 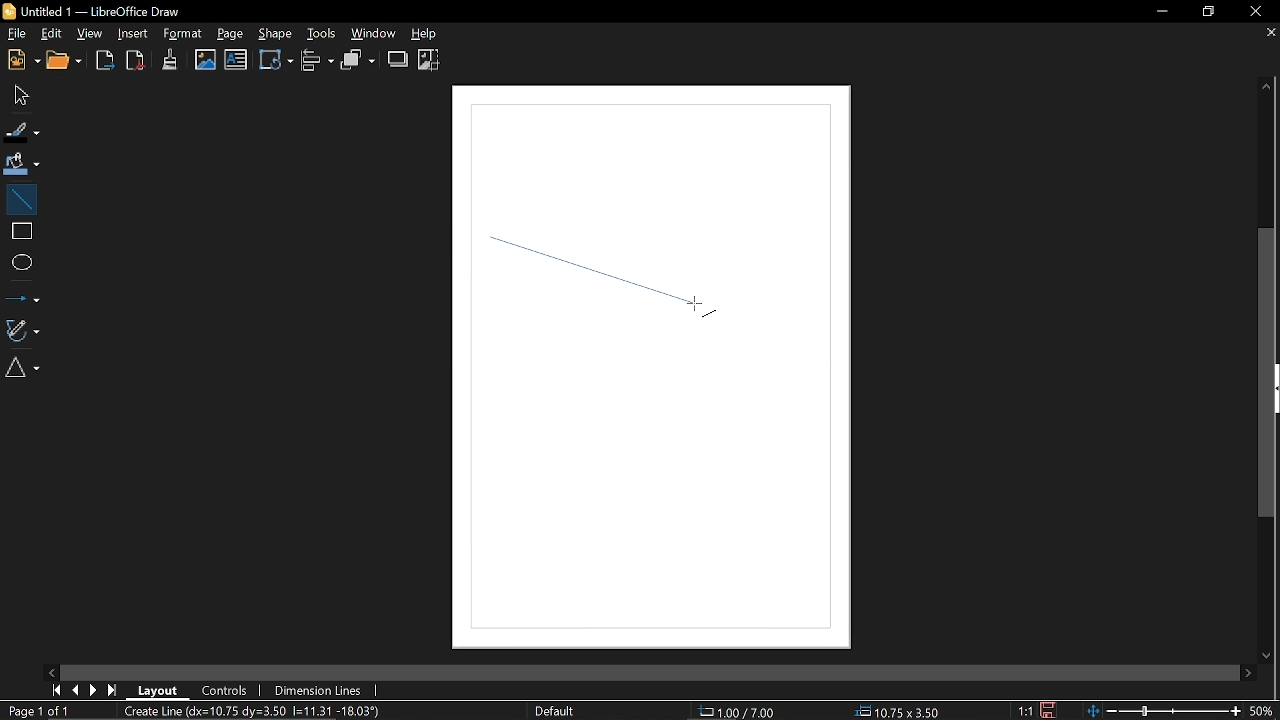 I want to click on Line, so click(x=20, y=197).